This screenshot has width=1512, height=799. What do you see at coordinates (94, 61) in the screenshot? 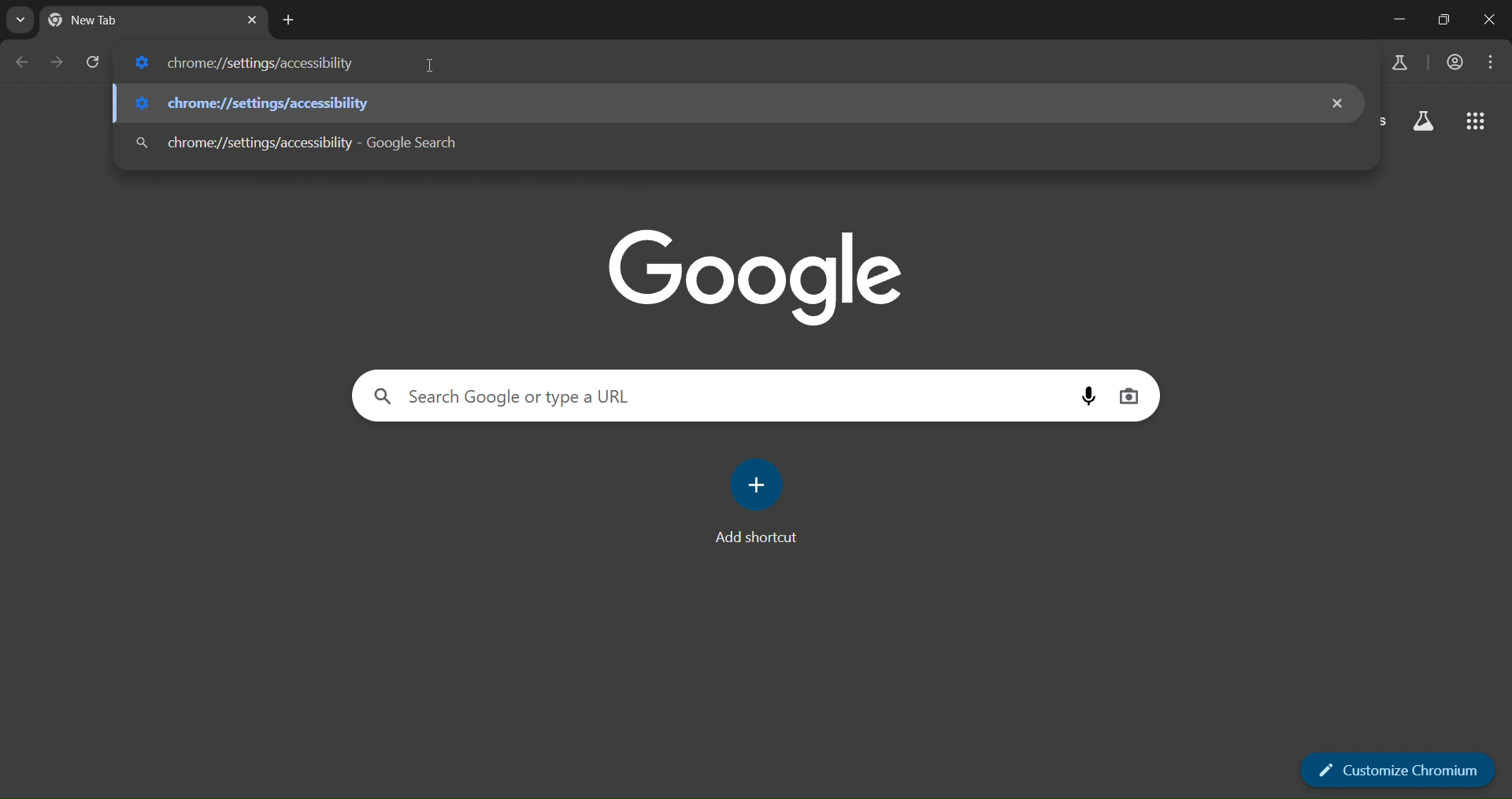
I see `reload page` at bounding box center [94, 61].